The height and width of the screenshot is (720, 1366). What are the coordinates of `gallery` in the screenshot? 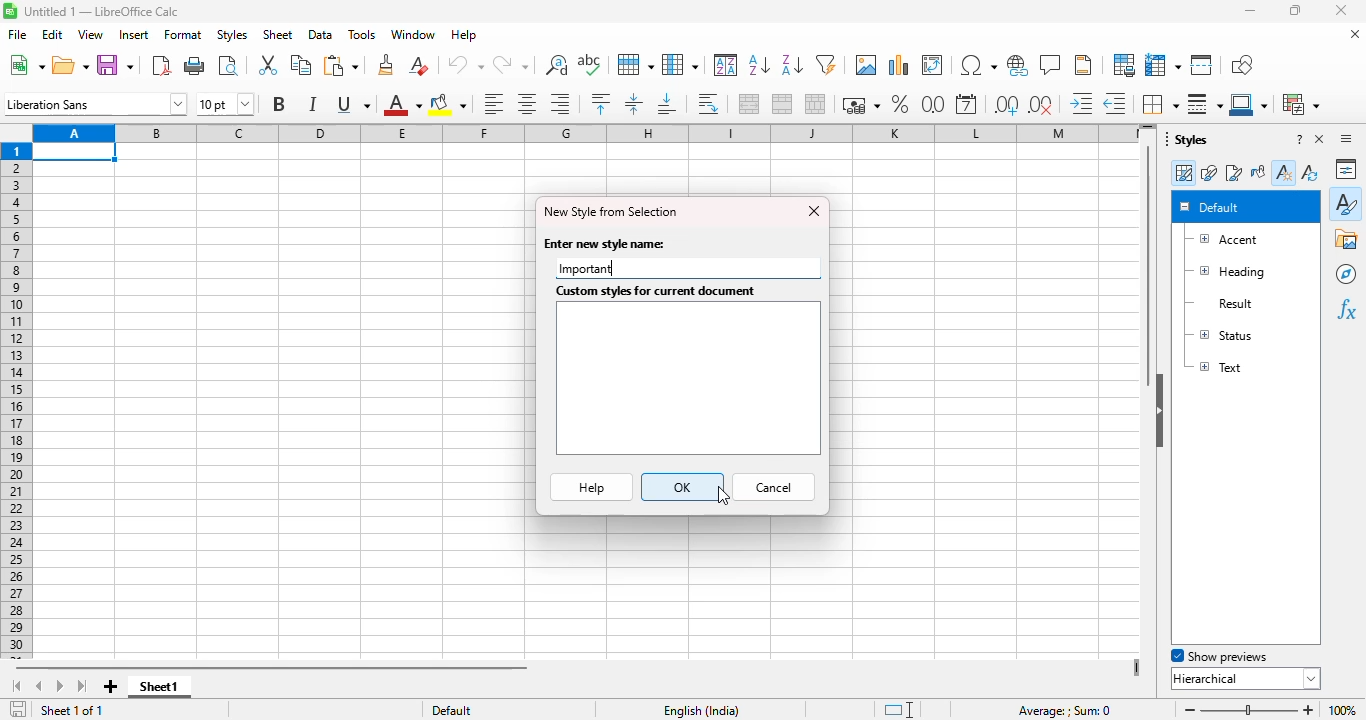 It's located at (1347, 239).